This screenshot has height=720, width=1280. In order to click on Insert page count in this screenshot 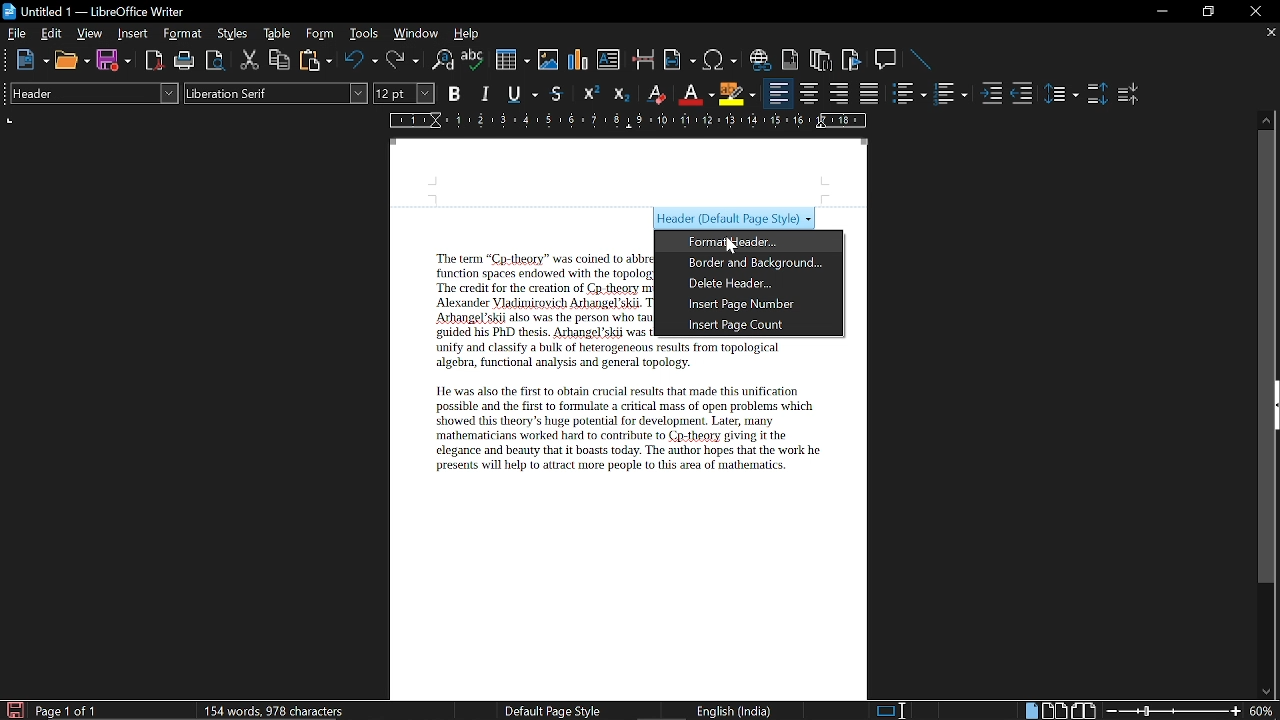, I will do `click(756, 326)`.